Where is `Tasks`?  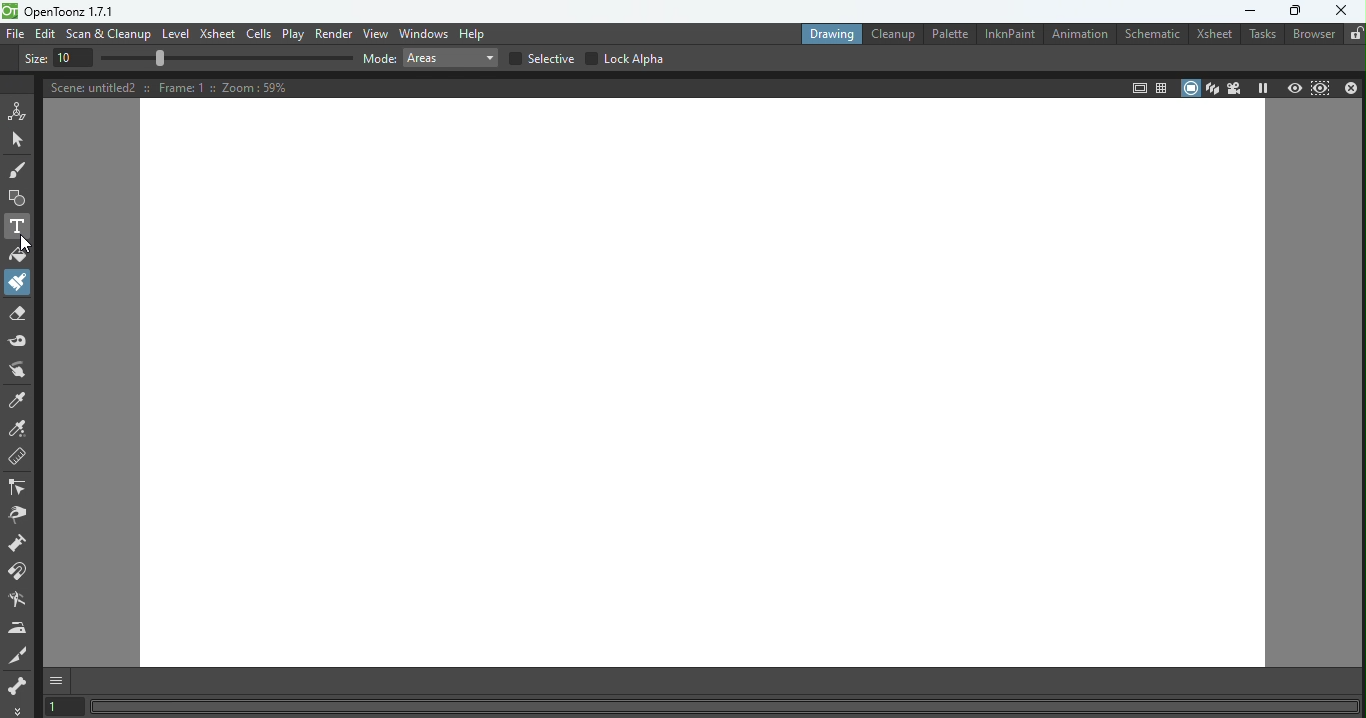
Tasks is located at coordinates (1261, 35).